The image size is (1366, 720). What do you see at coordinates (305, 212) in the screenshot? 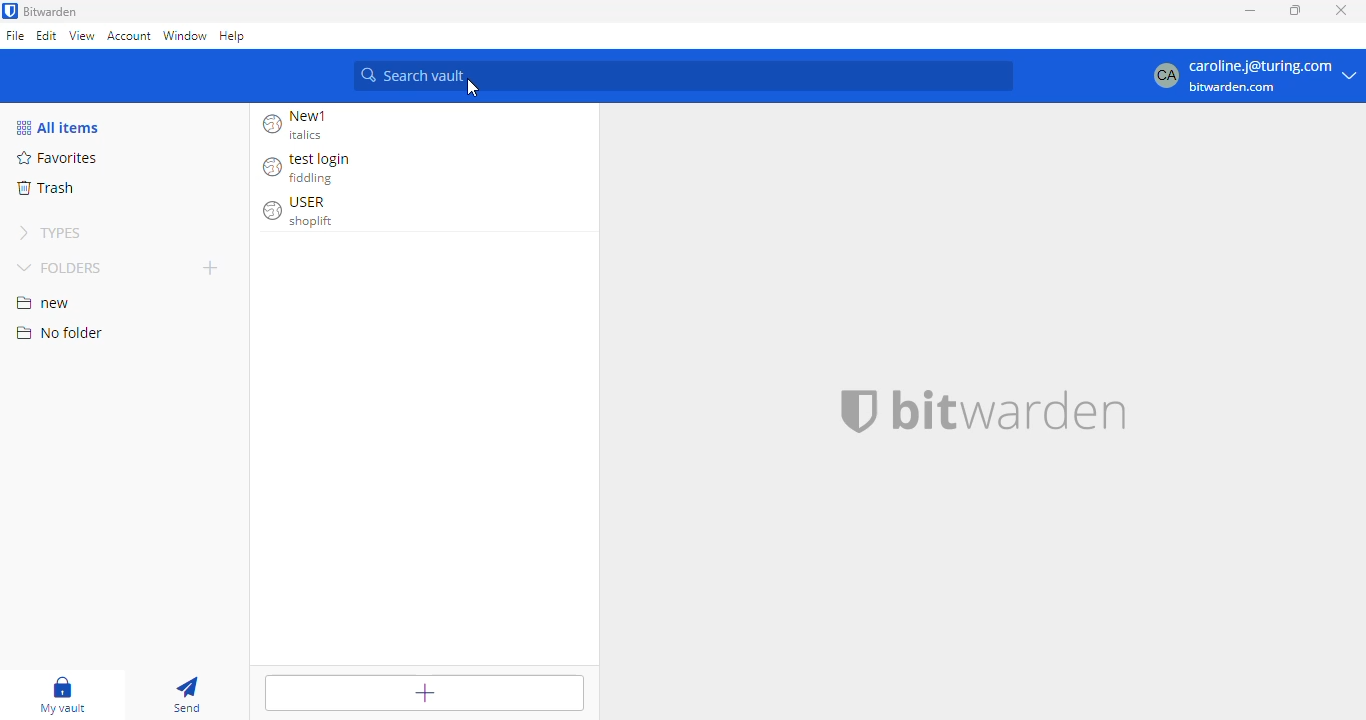
I see `USER   shoplift` at bounding box center [305, 212].